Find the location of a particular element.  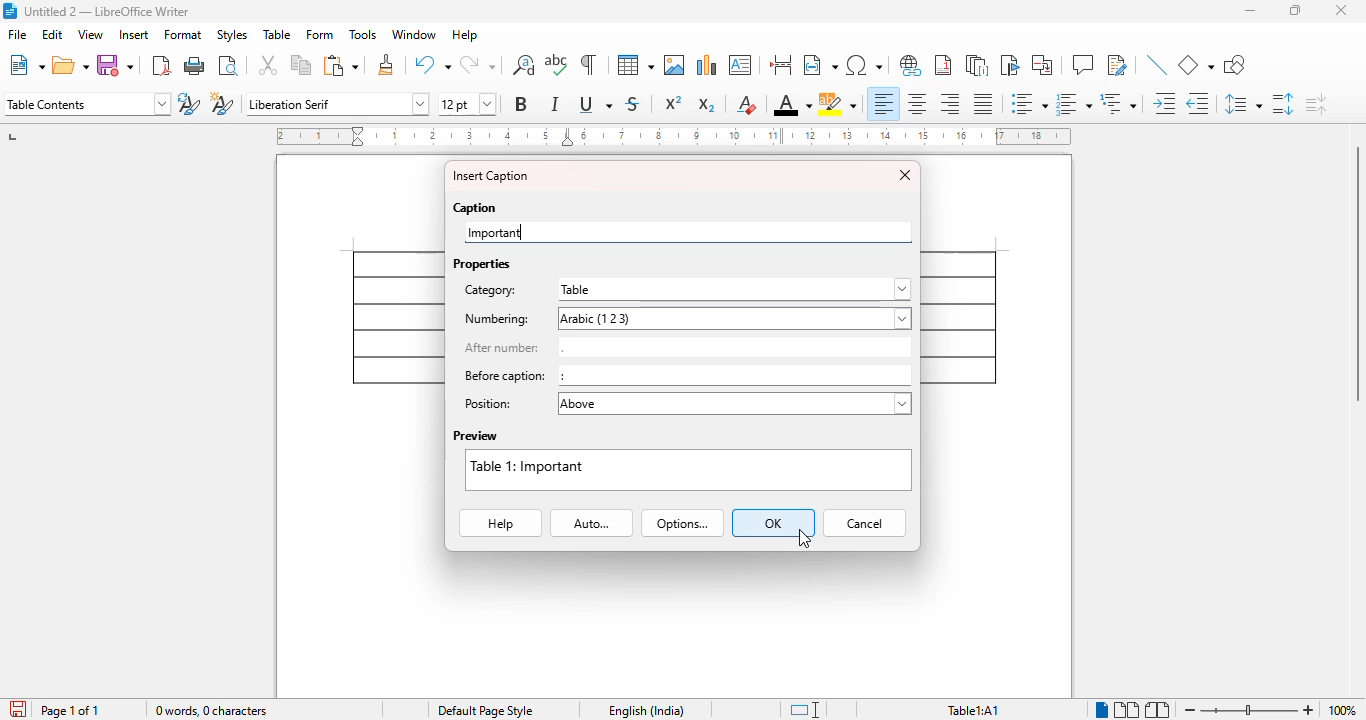

toggle unordered list is located at coordinates (1030, 103).